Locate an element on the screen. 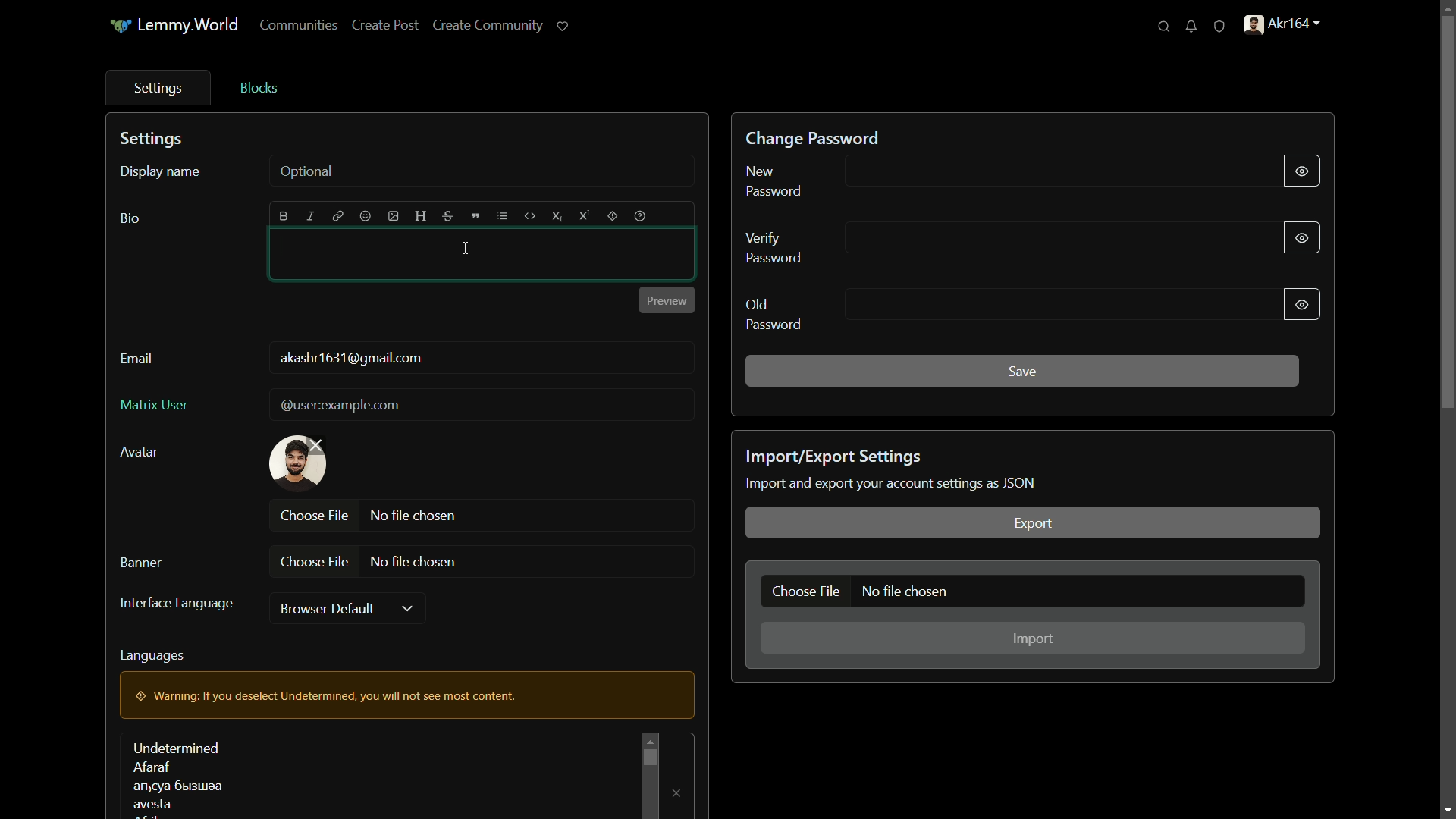 This screenshot has height=819, width=1456. communities is located at coordinates (301, 25).